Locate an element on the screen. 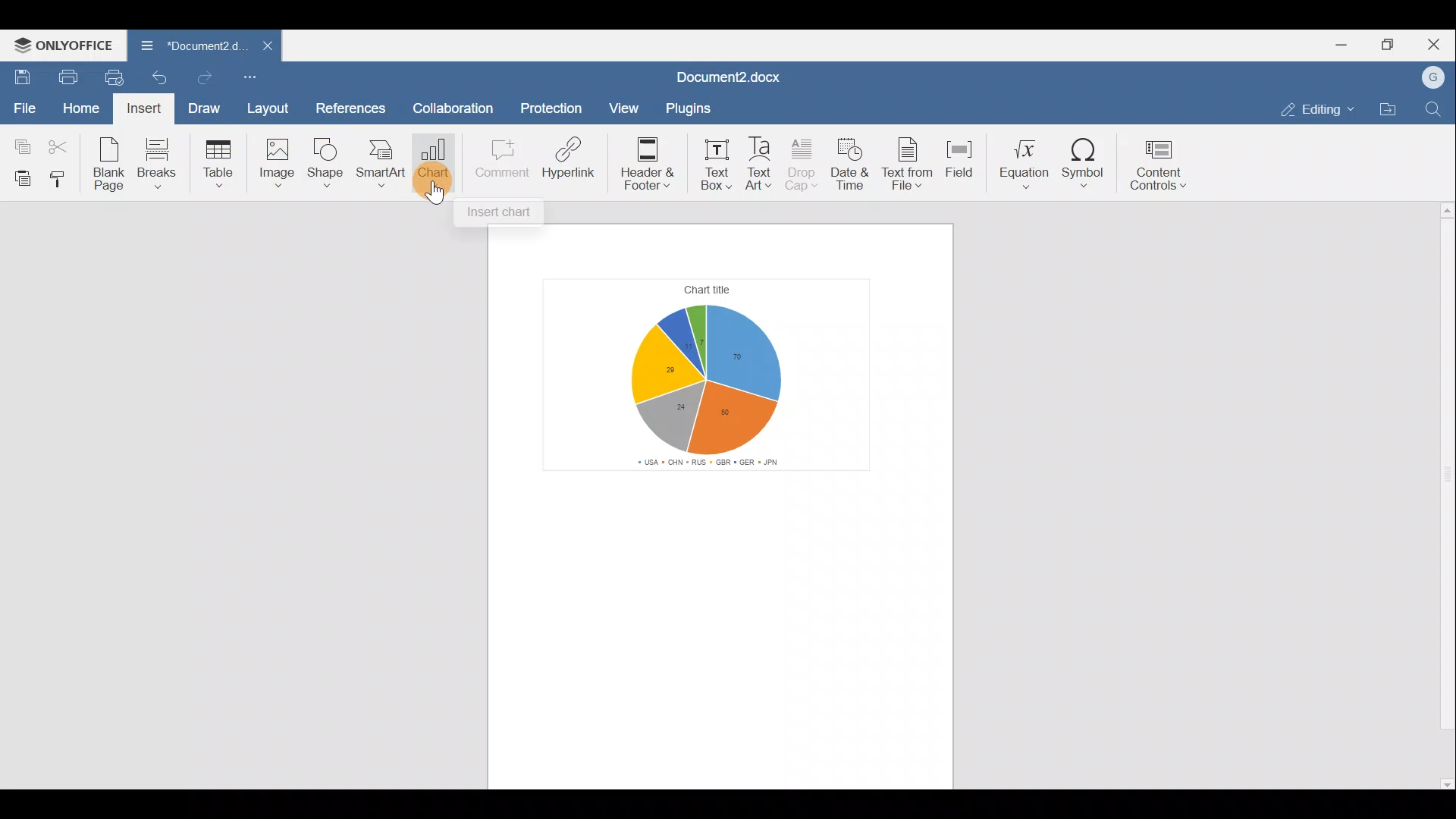  Cursor on Chart is located at coordinates (434, 168).